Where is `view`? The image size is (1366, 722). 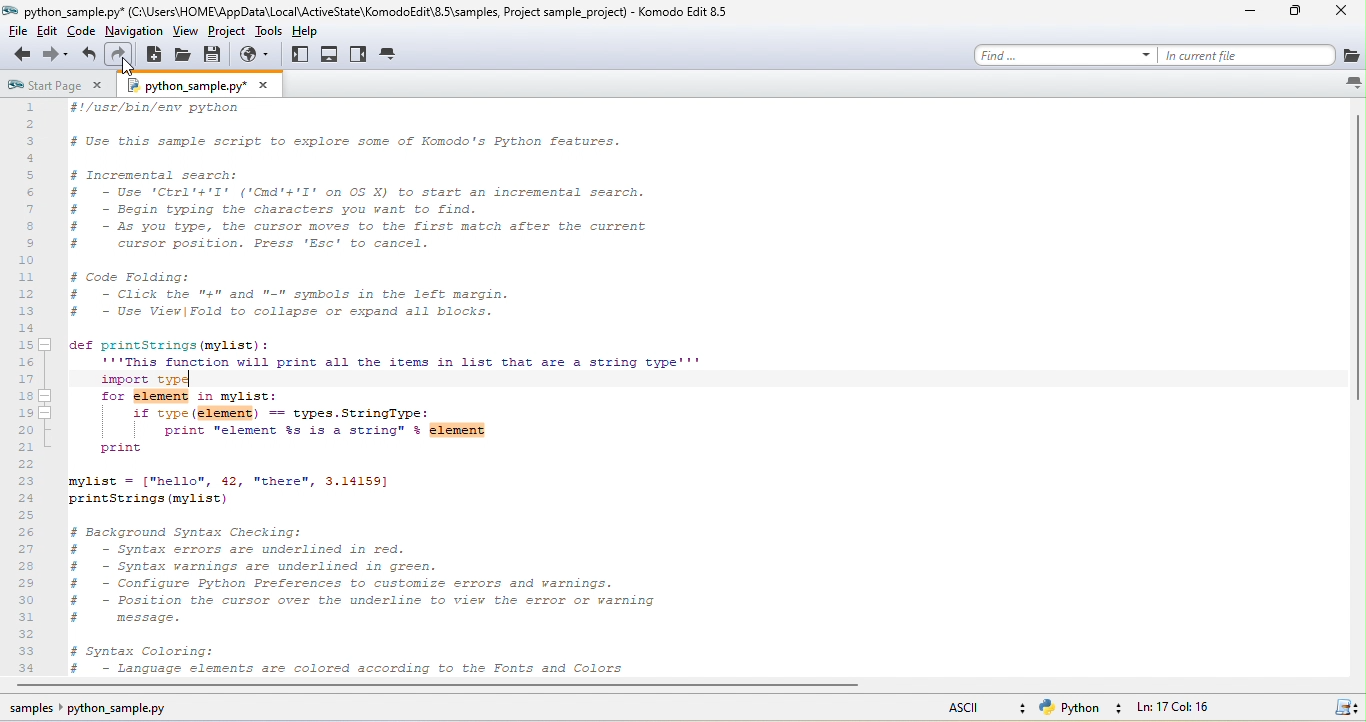
view is located at coordinates (183, 32).